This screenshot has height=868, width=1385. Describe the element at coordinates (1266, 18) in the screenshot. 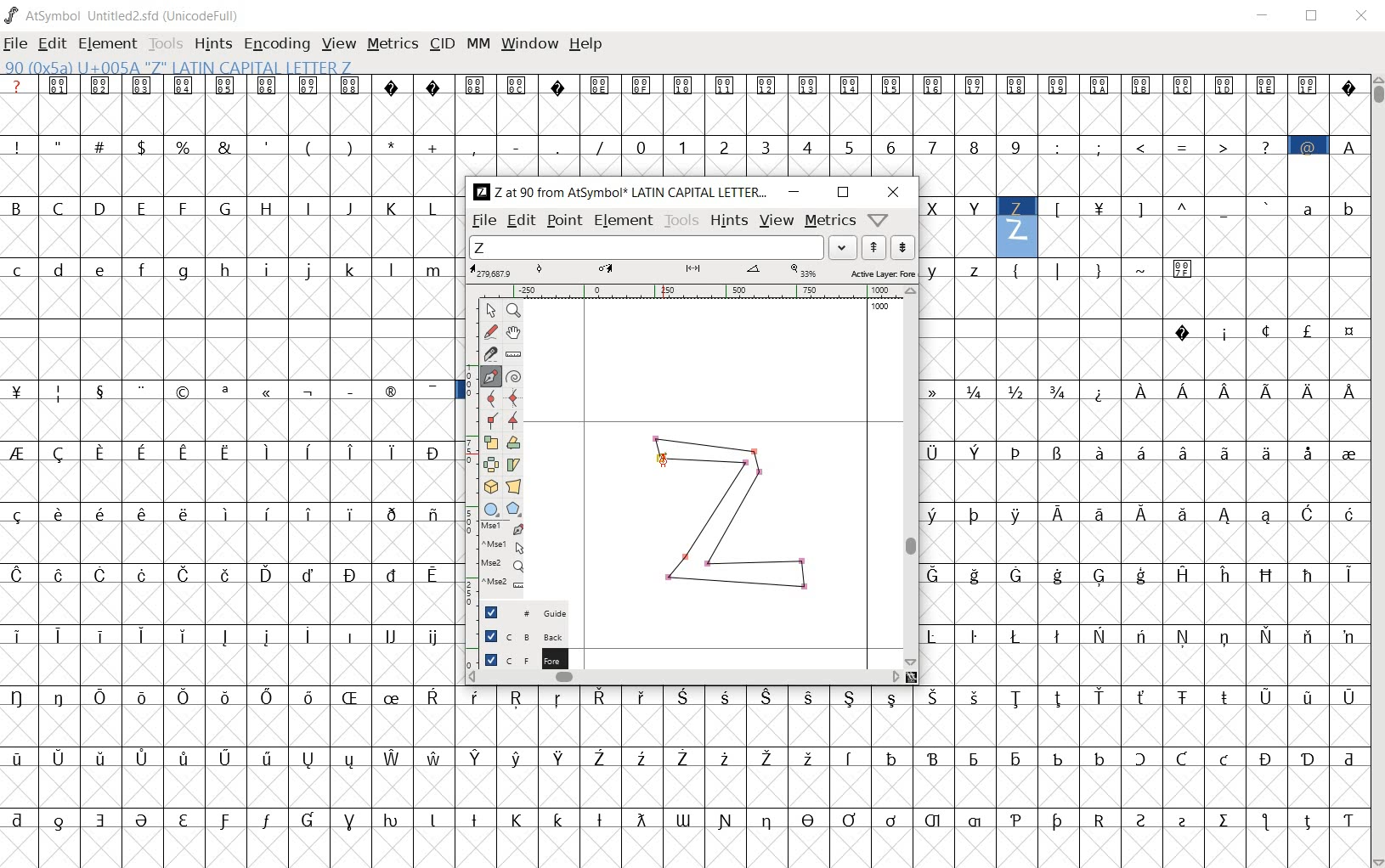

I see `minimize` at that location.